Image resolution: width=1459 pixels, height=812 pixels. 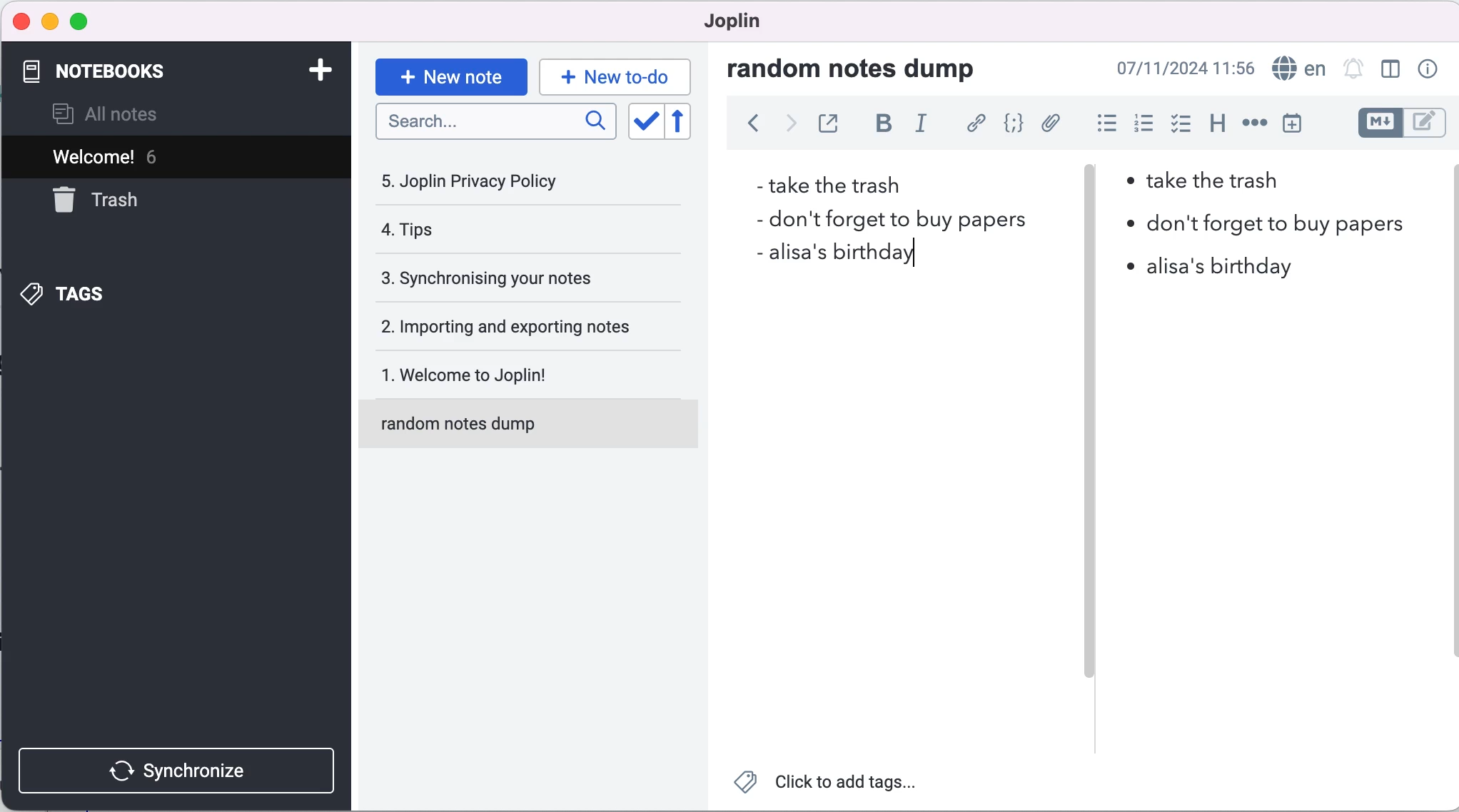 I want to click on vertical slider, so click(x=1091, y=200).